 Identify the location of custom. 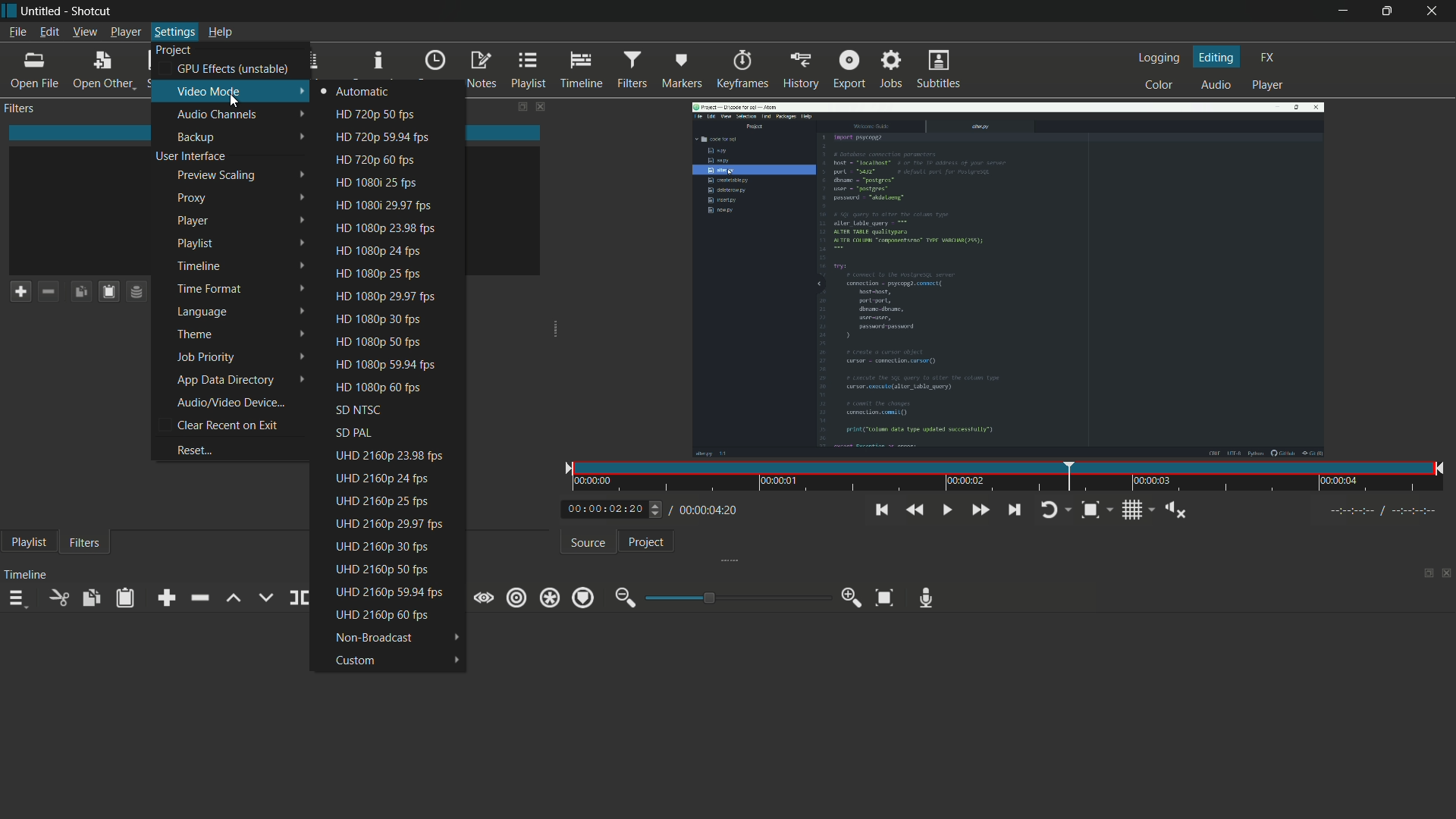
(394, 663).